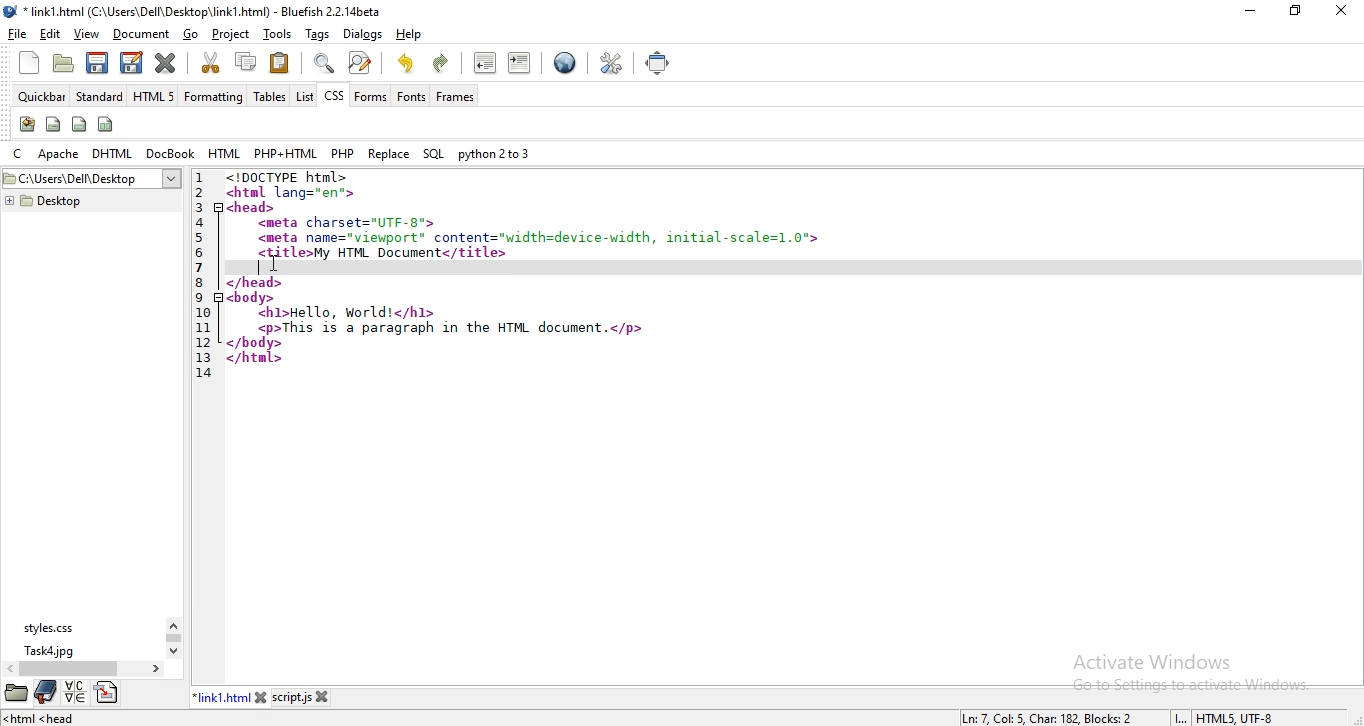 This screenshot has height=726, width=1364. What do you see at coordinates (332, 95) in the screenshot?
I see `css` at bounding box center [332, 95].